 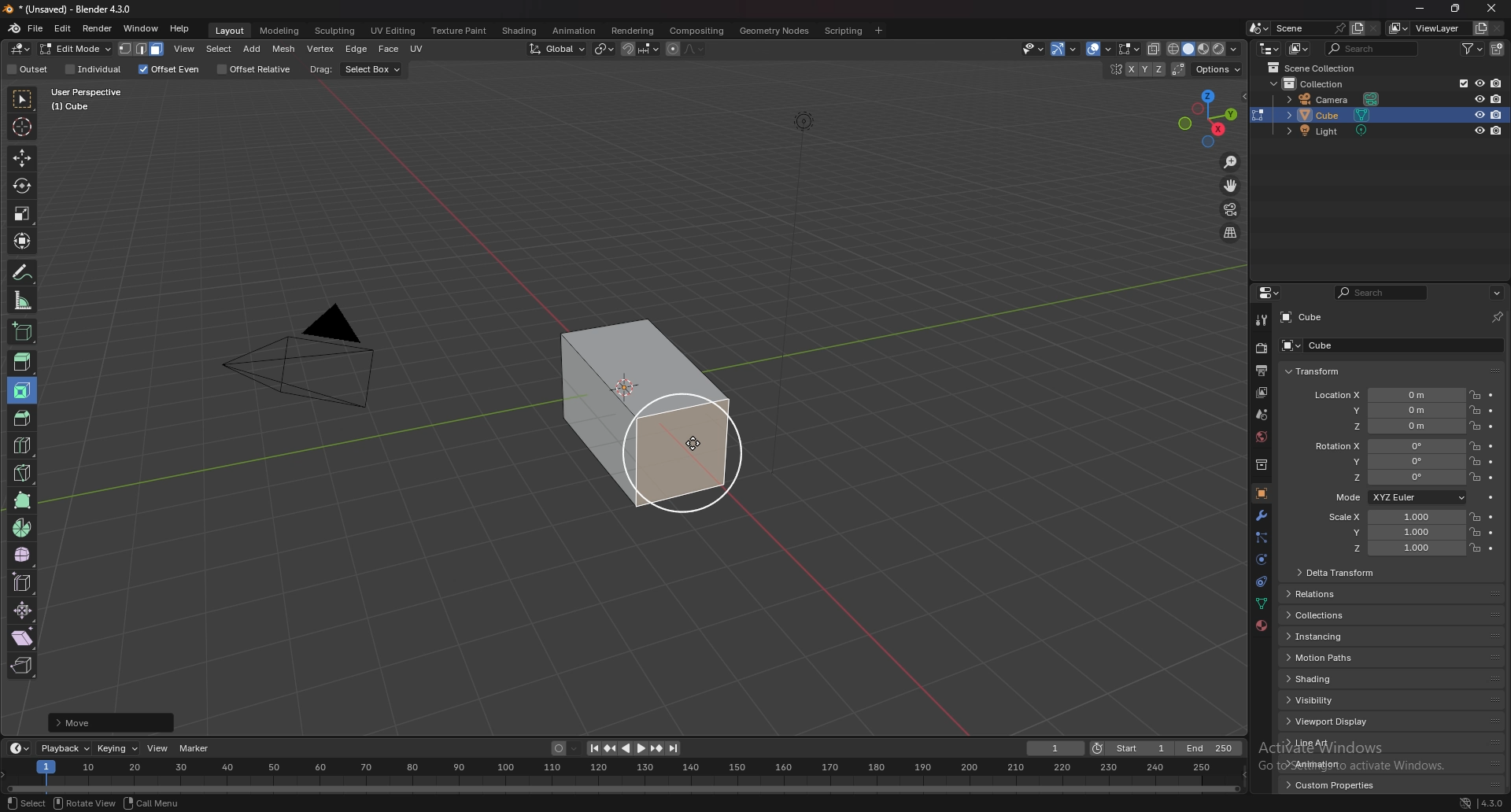 What do you see at coordinates (66, 749) in the screenshot?
I see `playback` at bounding box center [66, 749].